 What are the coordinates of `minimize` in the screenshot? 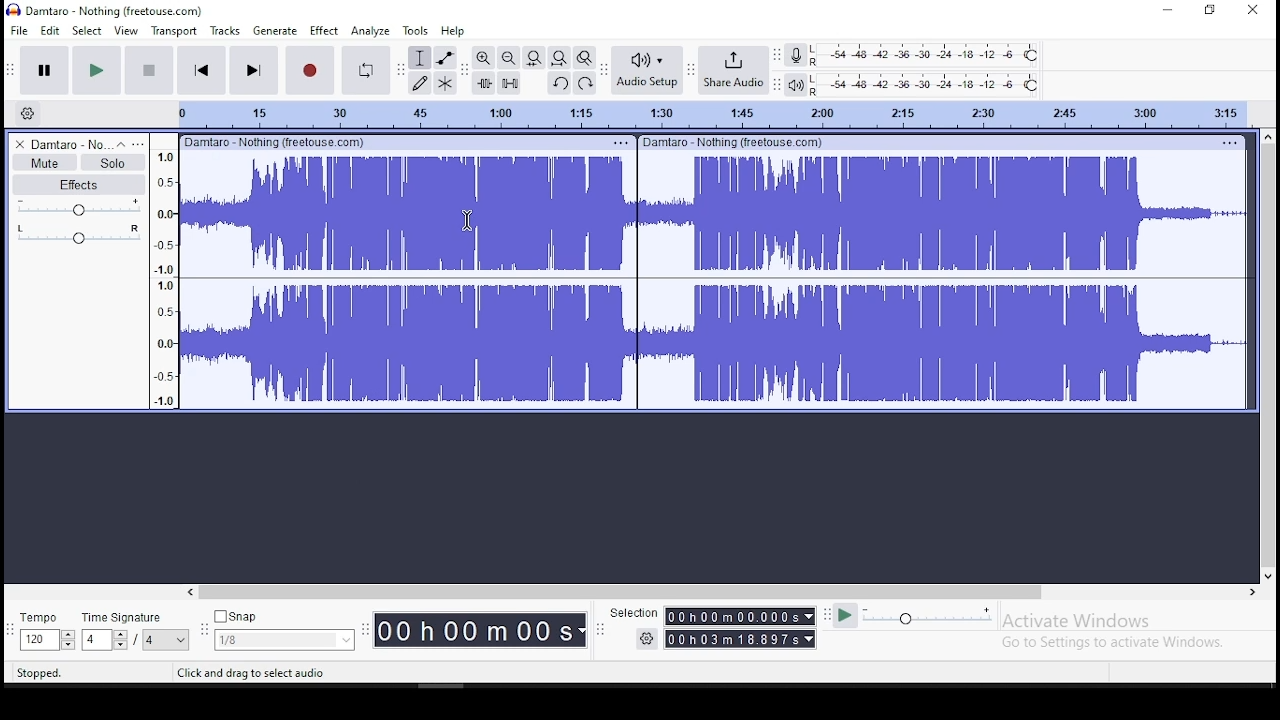 It's located at (1162, 11).